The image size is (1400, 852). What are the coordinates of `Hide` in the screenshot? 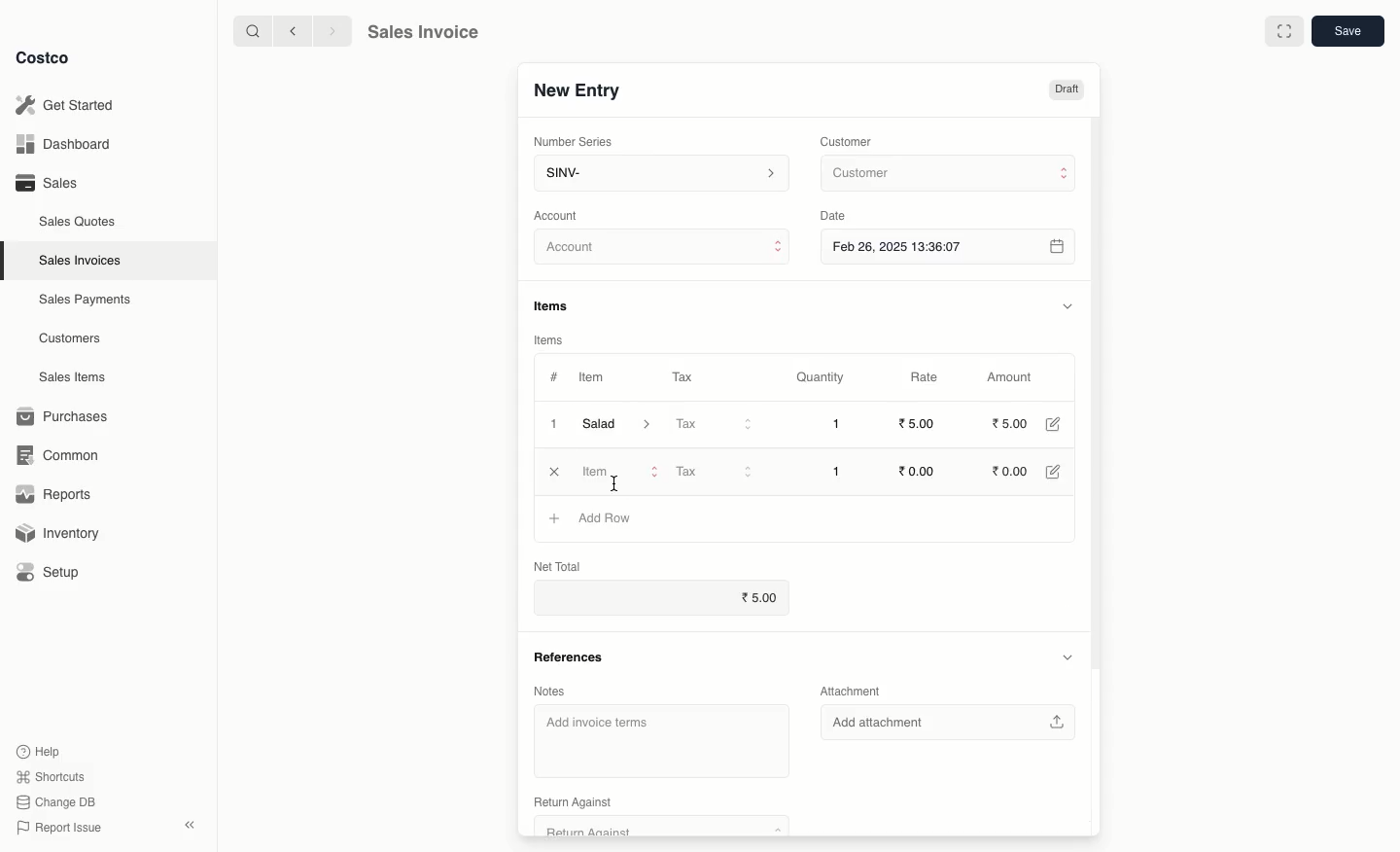 It's located at (1067, 305).